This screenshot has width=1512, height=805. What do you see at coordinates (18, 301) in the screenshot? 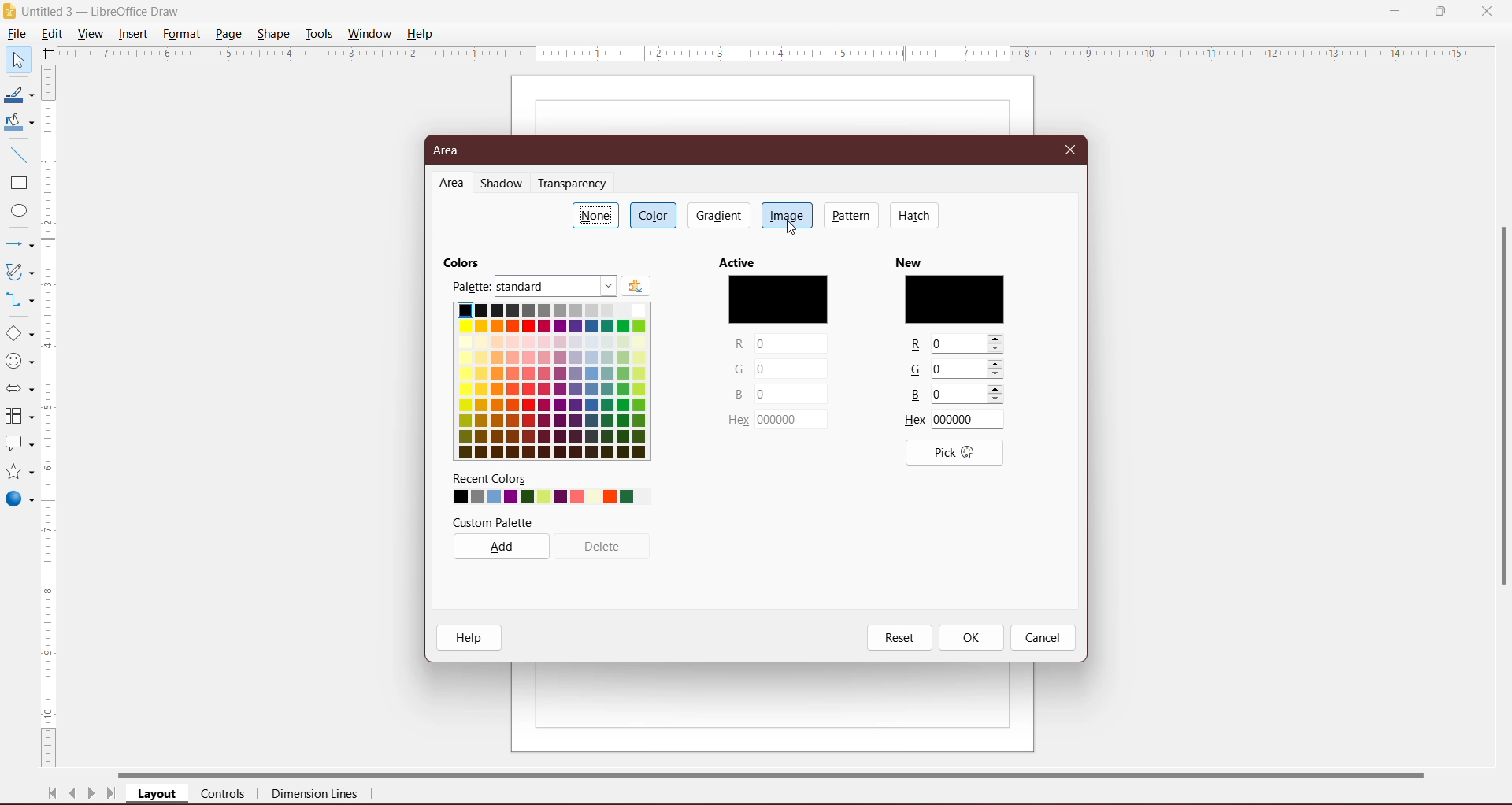
I see `Connectors` at bounding box center [18, 301].